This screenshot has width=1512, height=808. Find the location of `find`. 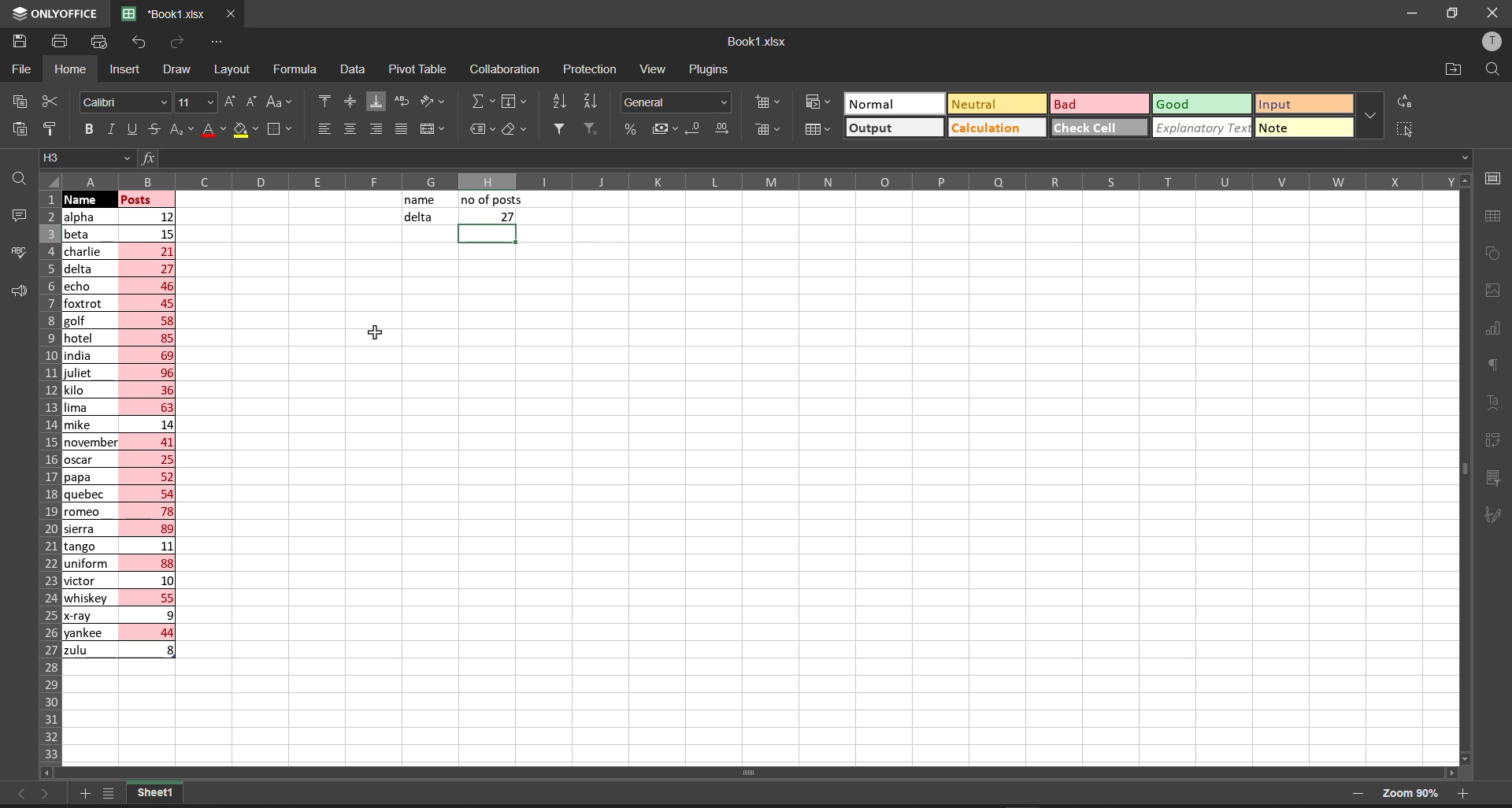

find is located at coordinates (17, 176).